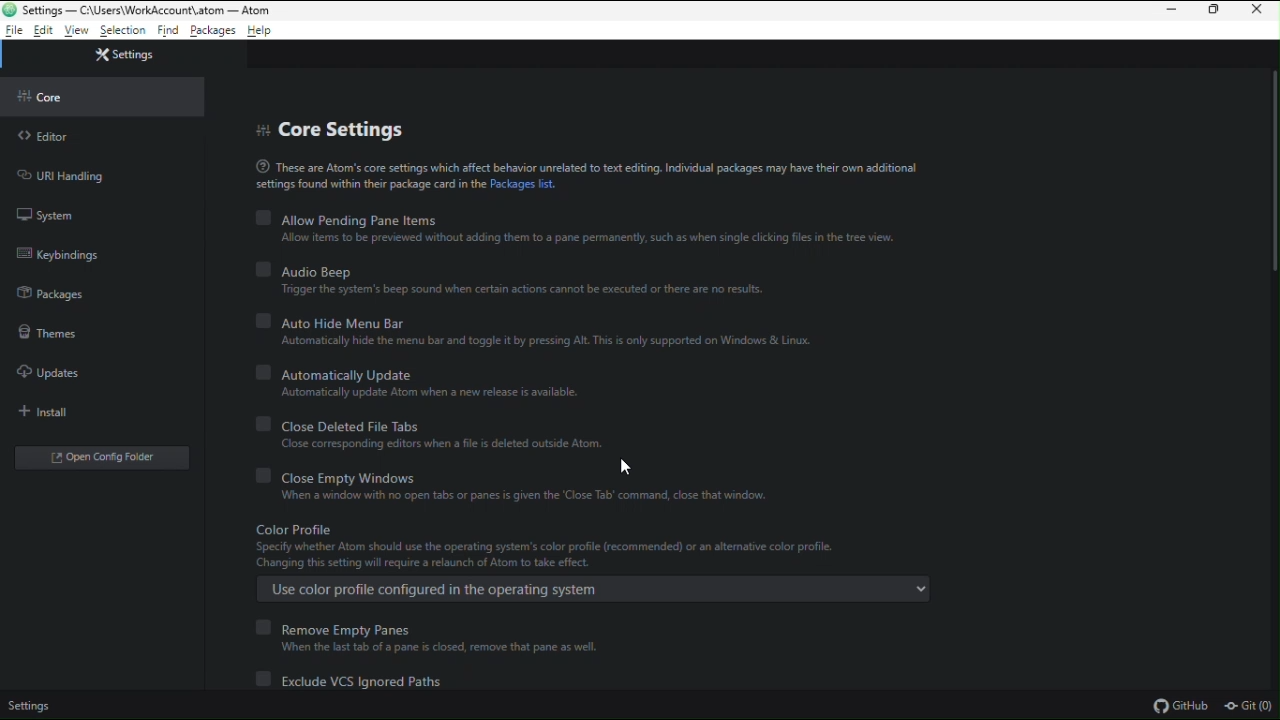 The image size is (1280, 720). What do you see at coordinates (46, 217) in the screenshot?
I see `Systems` at bounding box center [46, 217].